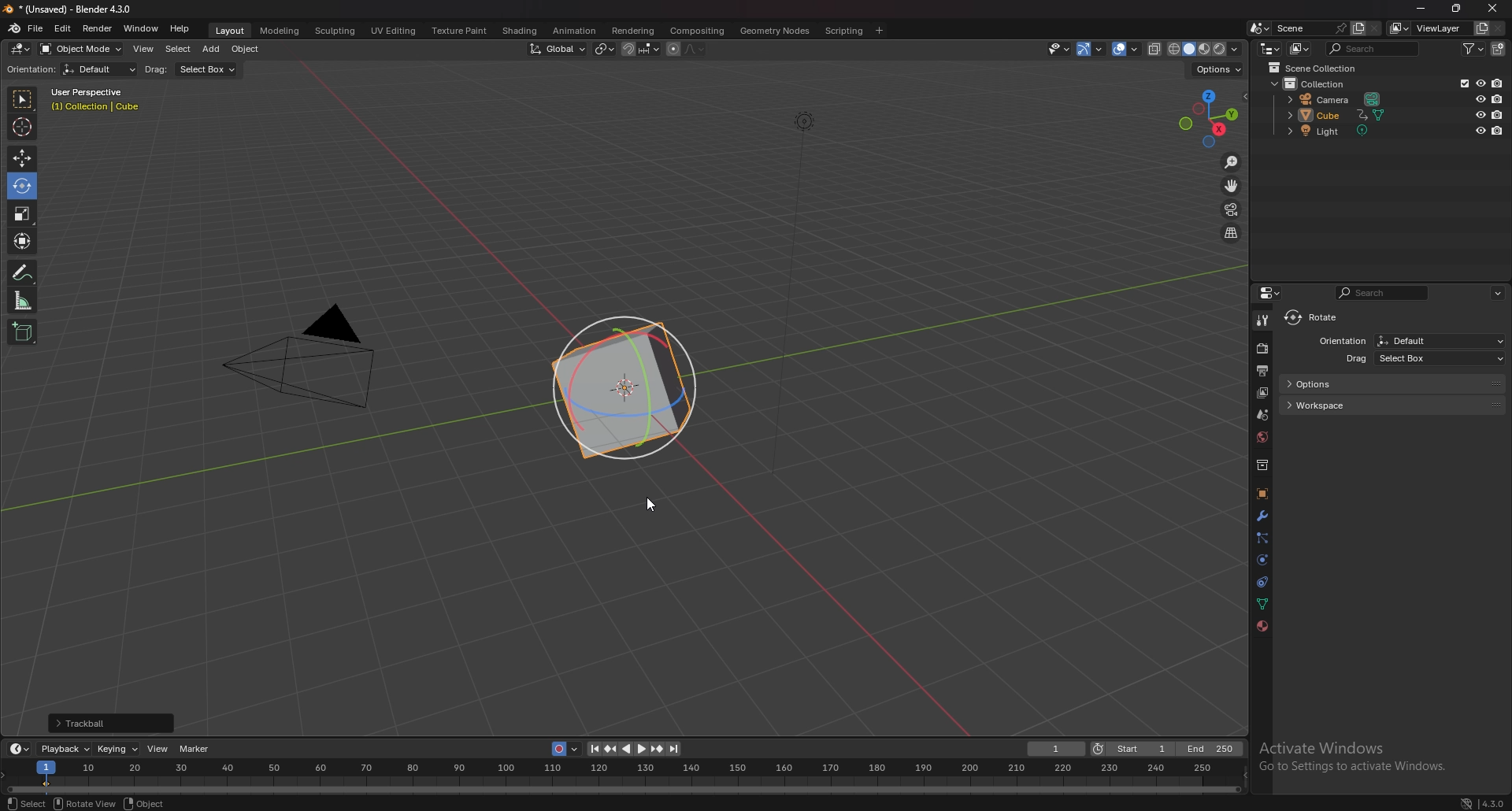 The height and width of the screenshot is (811, 1512). I want to click on tool, so click(1262, 321).